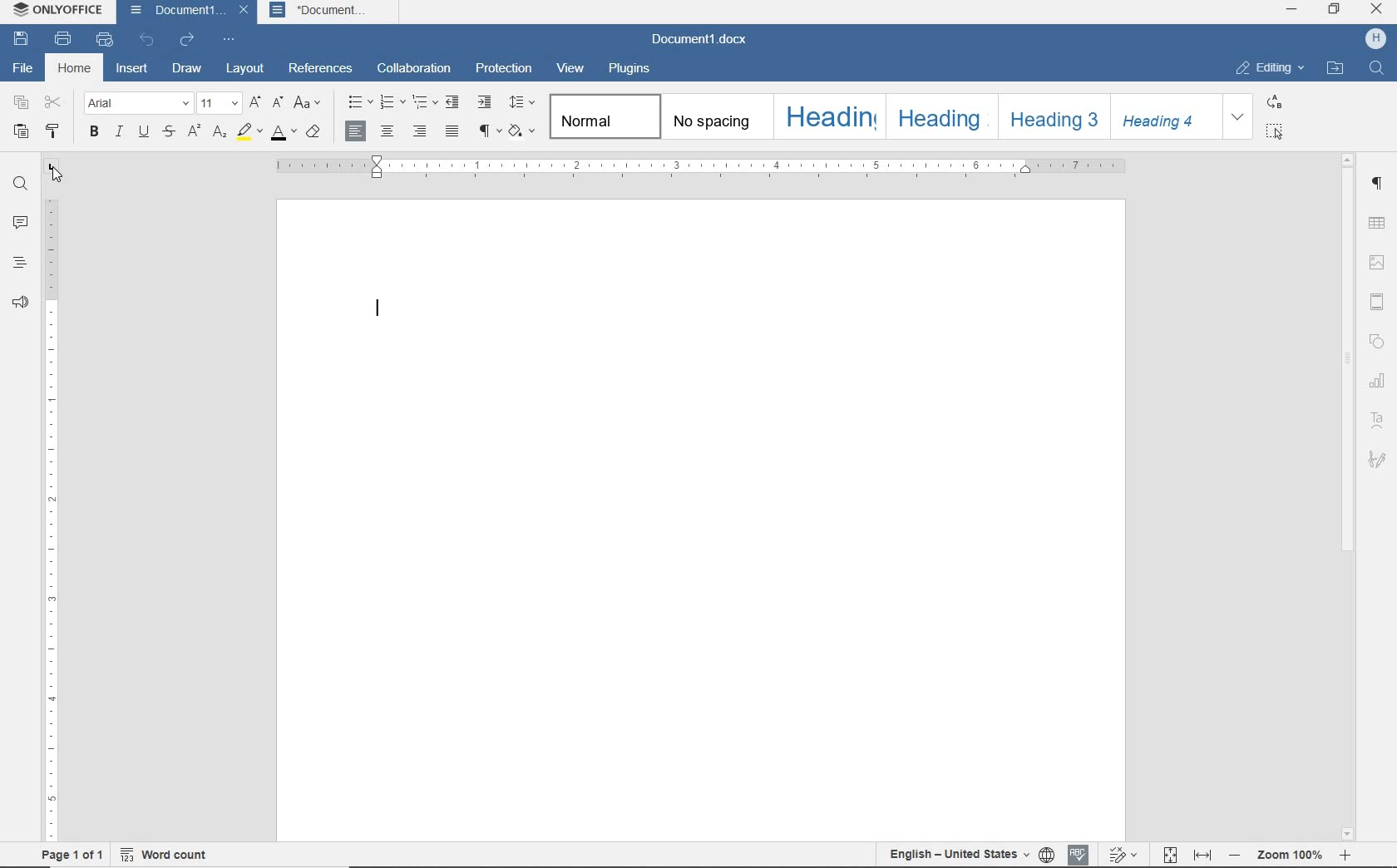  I want to click on DOCUMENT NAME, so click(705, 40).